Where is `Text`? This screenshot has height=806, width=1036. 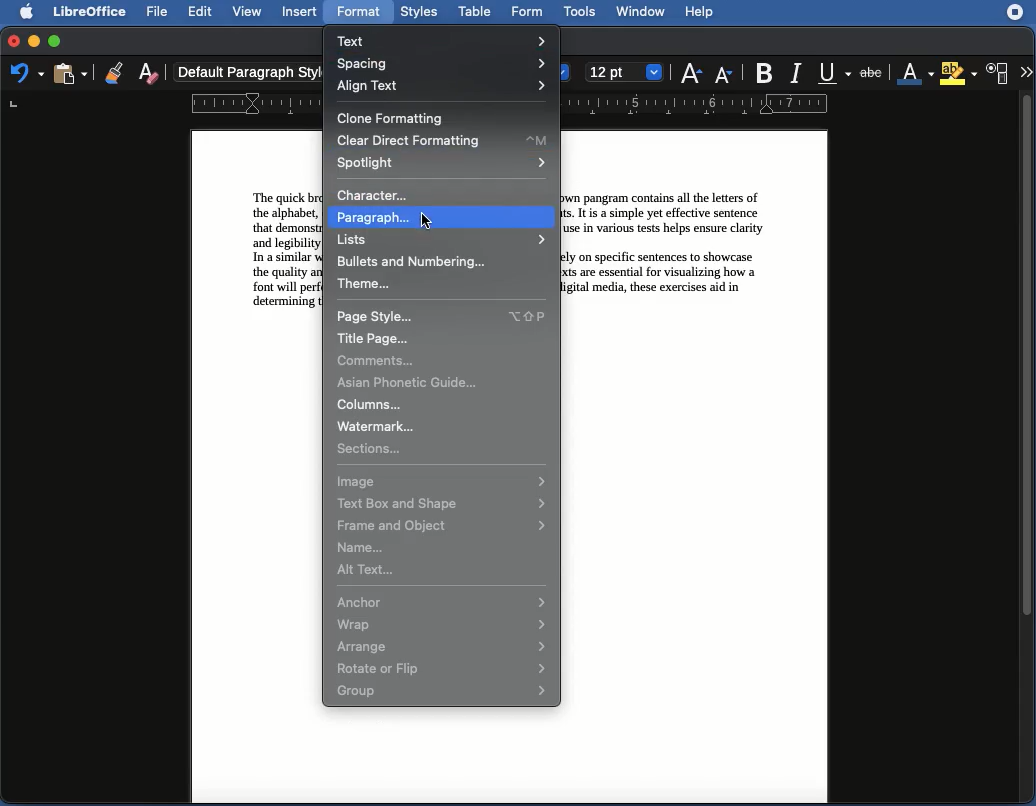 Text is located at coordinates (443, 40).